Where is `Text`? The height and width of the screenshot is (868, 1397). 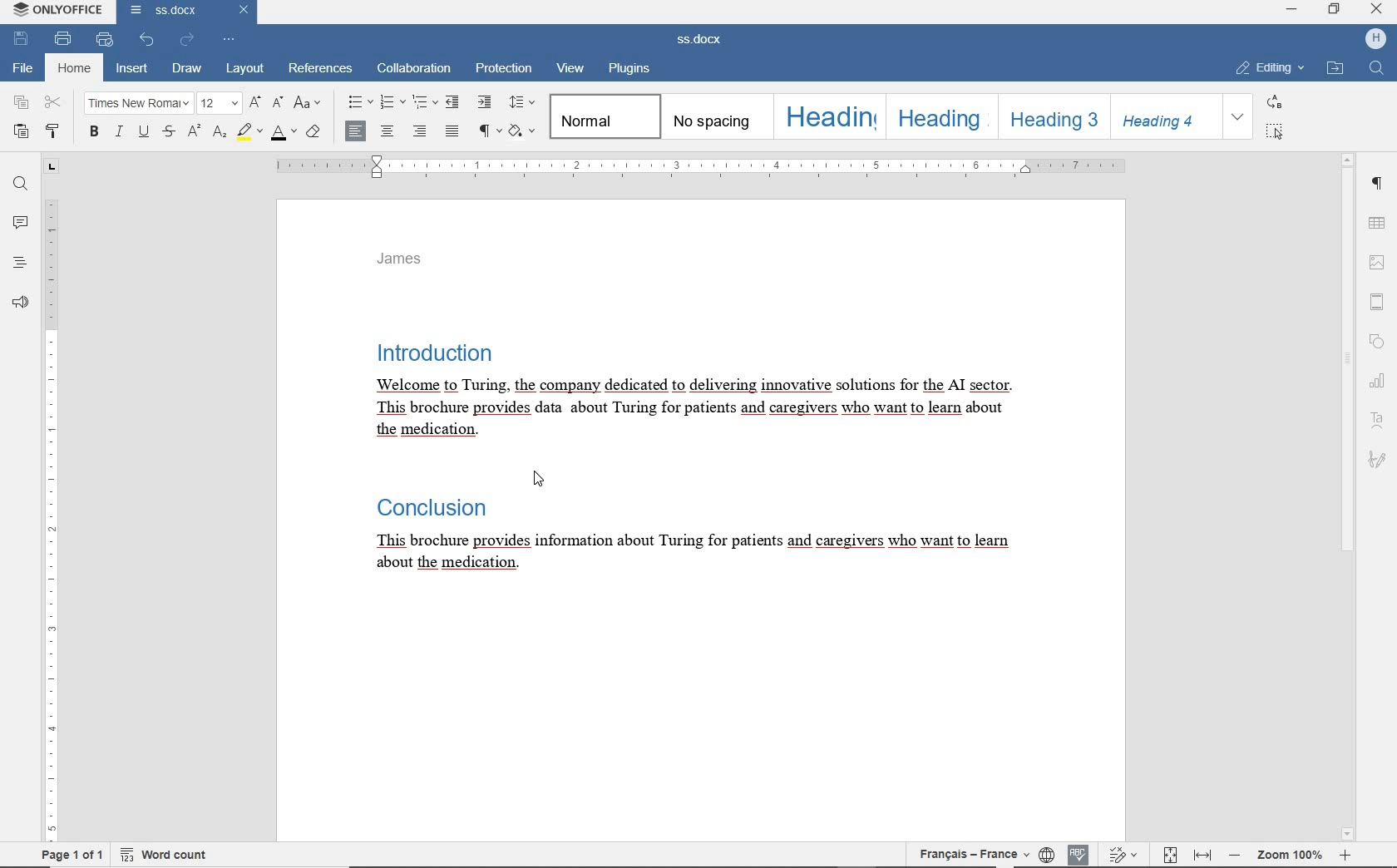
Text is located at coordinates (689, 535).